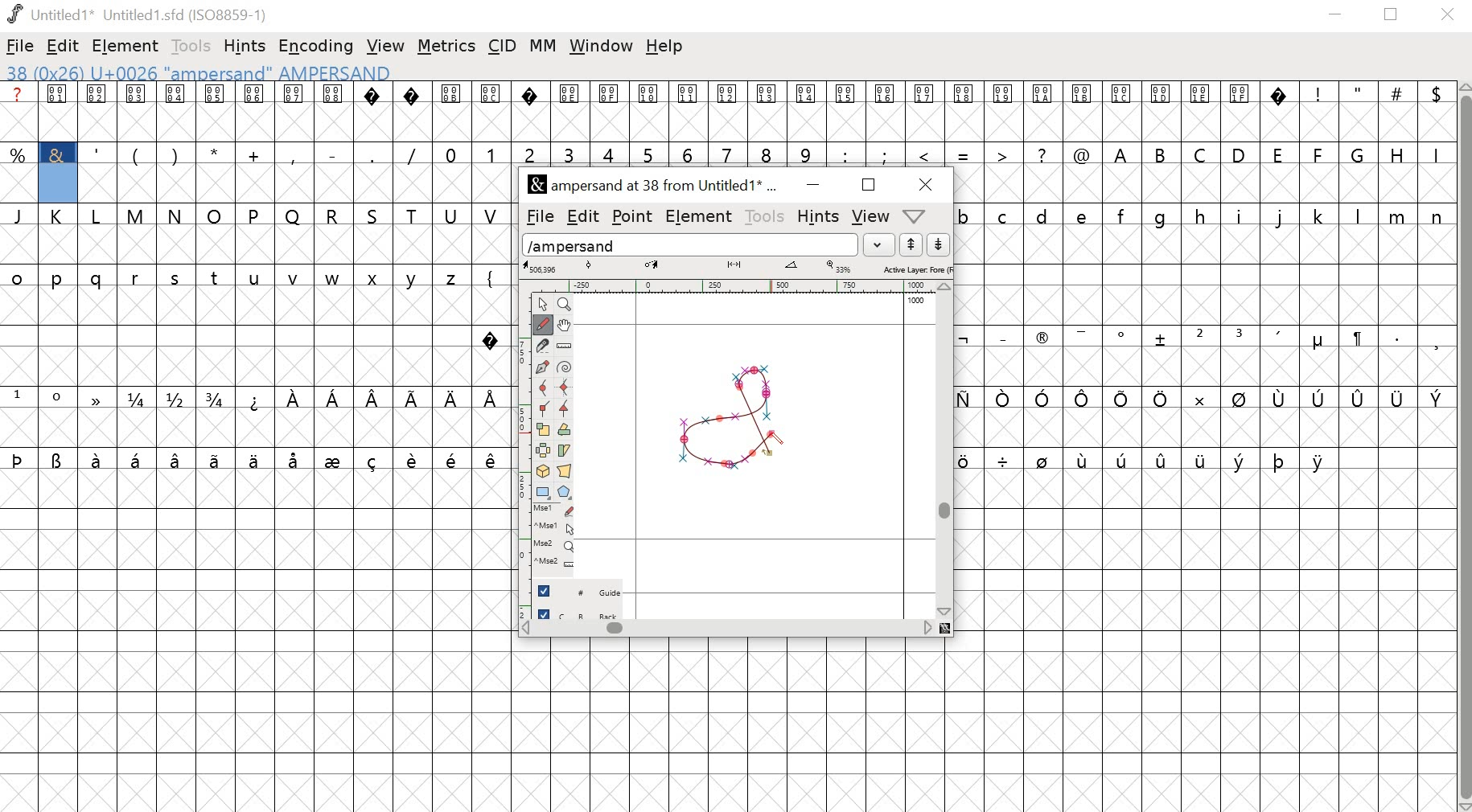  Describe the element at coordinates (1084, 459) in the screenshot. I see `symbol` at that location.